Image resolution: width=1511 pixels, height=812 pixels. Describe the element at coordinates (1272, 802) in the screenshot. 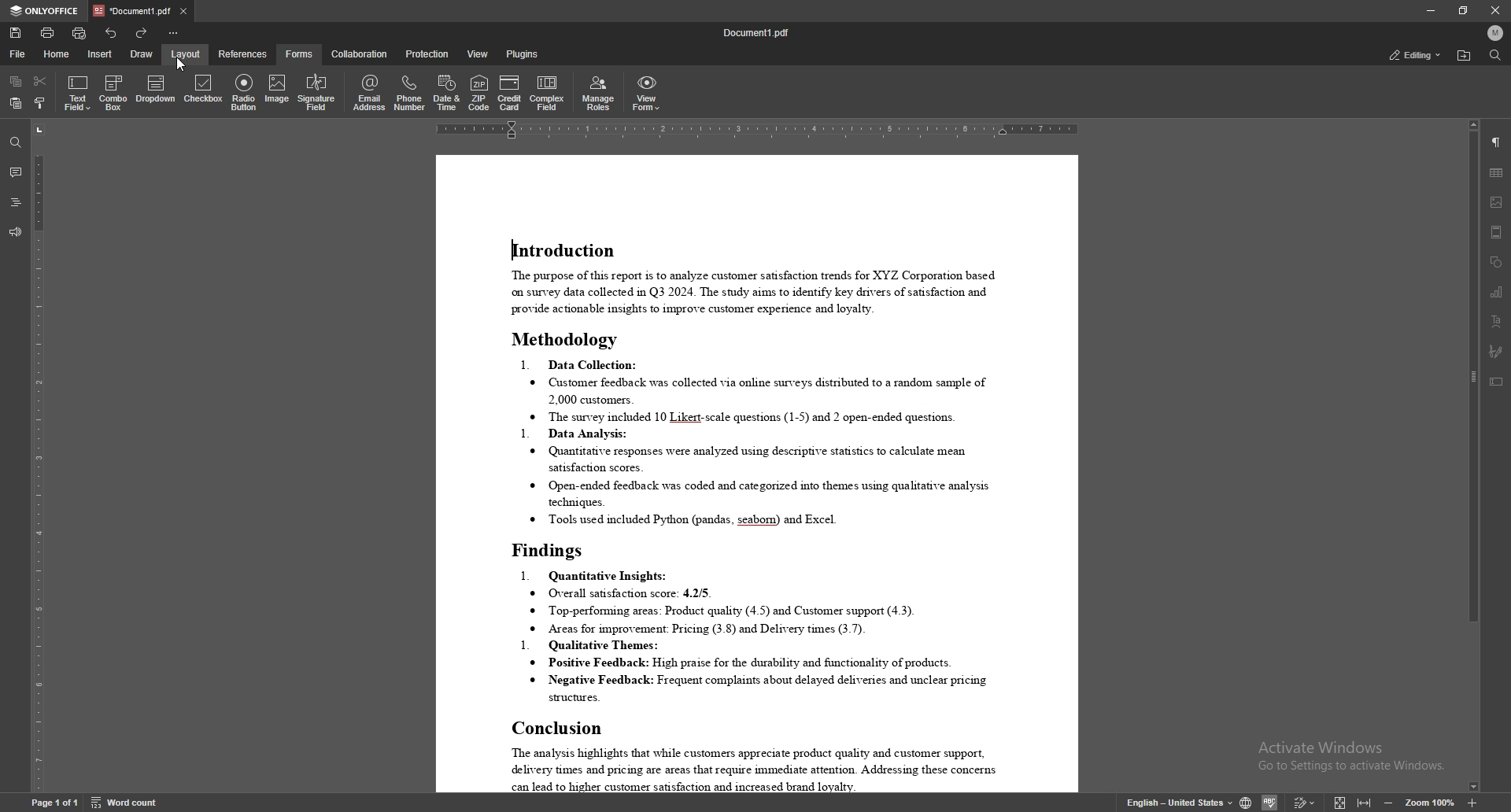

I see `spell check` at that location.